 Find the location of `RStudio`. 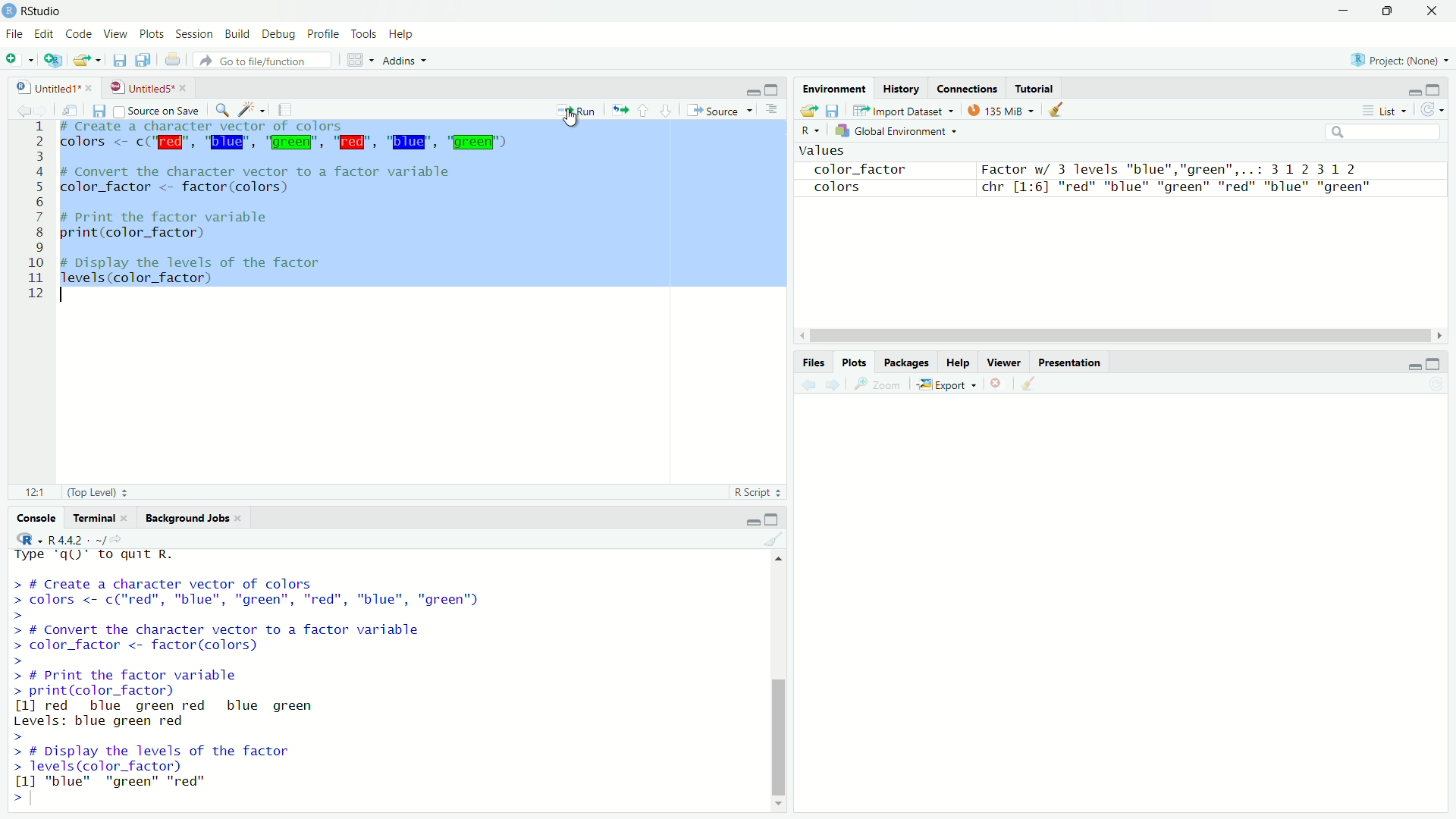

RStudio is located at coordinates (44, 10).